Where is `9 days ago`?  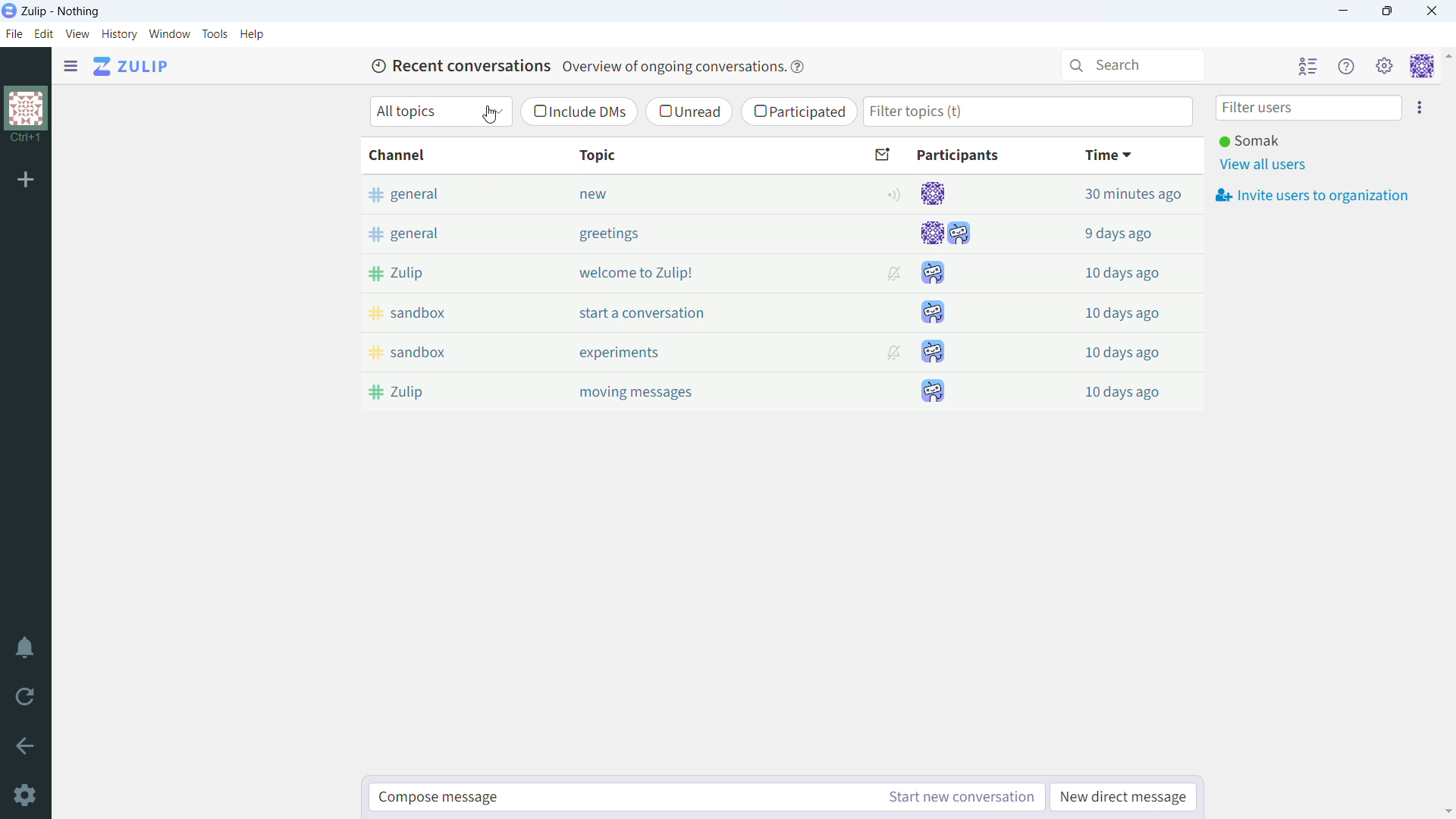 9 days ago is located at coordinates (1122, 234).